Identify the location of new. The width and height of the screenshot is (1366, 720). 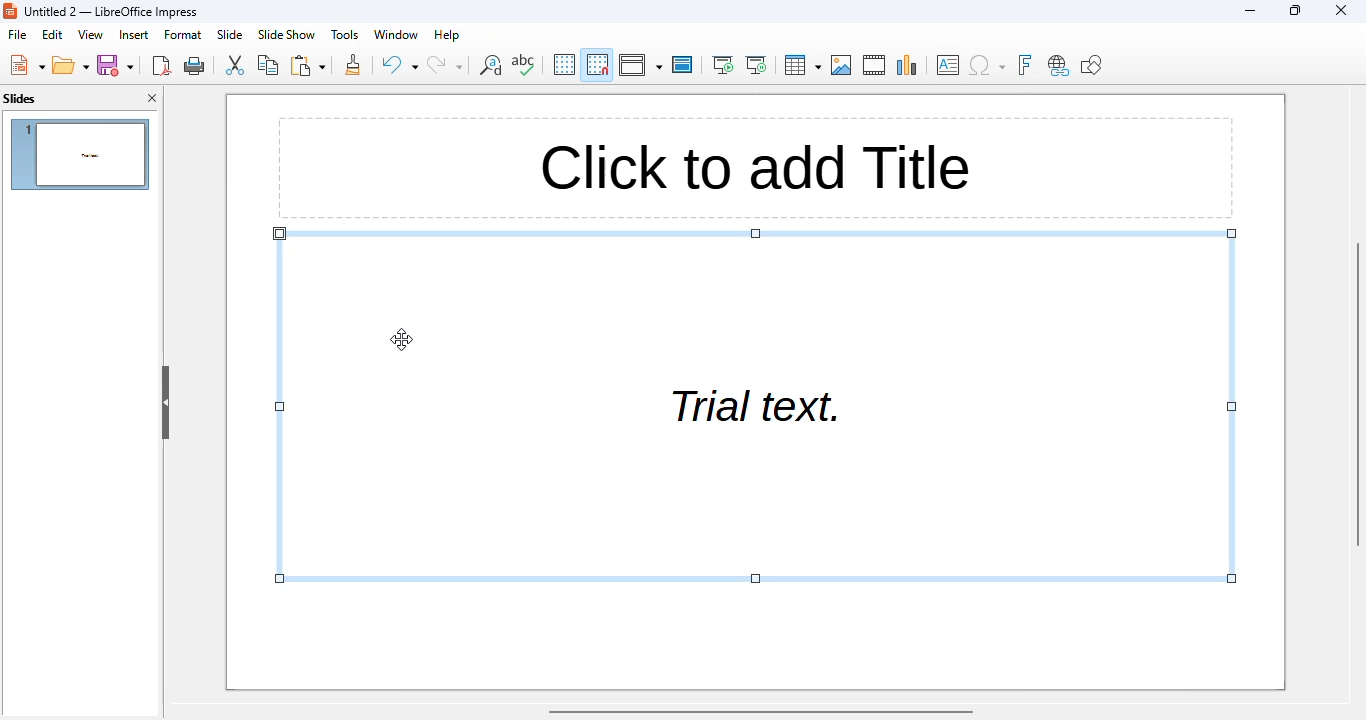
(26, 64).